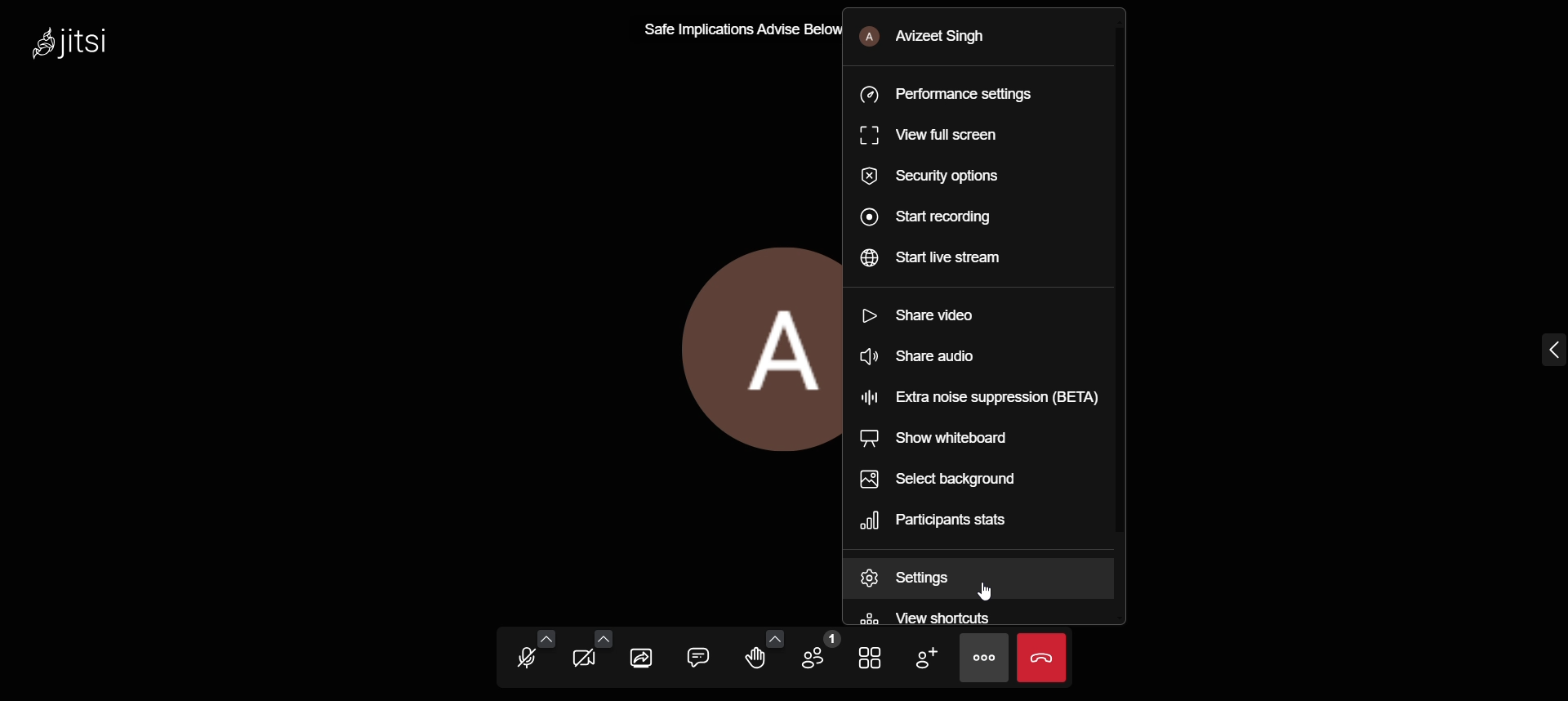  What do you see at coordinates (961, 92) in the screenshot?
I see `performance settings` at bounding box center [961, 92].